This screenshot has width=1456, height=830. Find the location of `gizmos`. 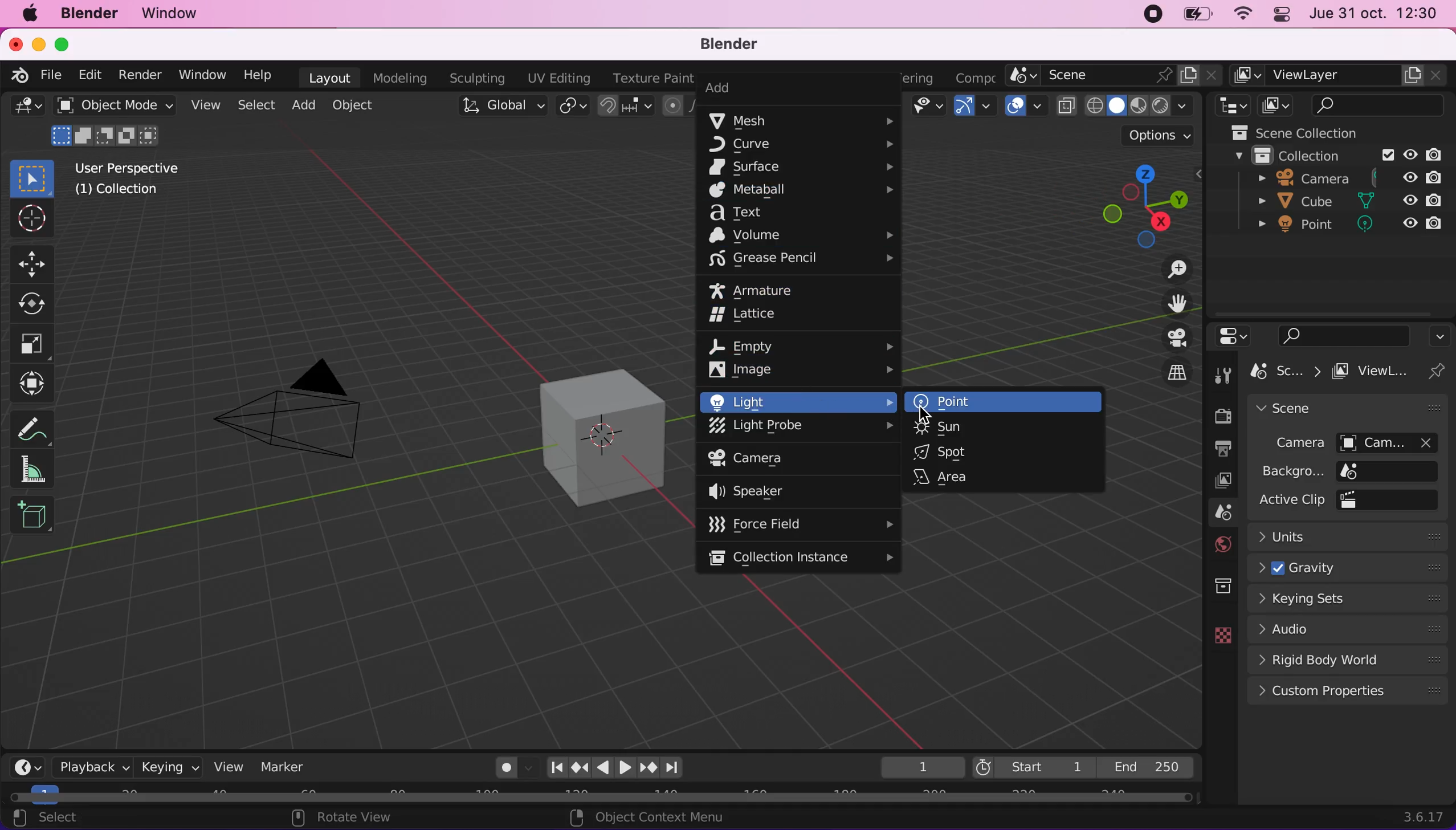

gizmos is located at coordinates (978, 108).